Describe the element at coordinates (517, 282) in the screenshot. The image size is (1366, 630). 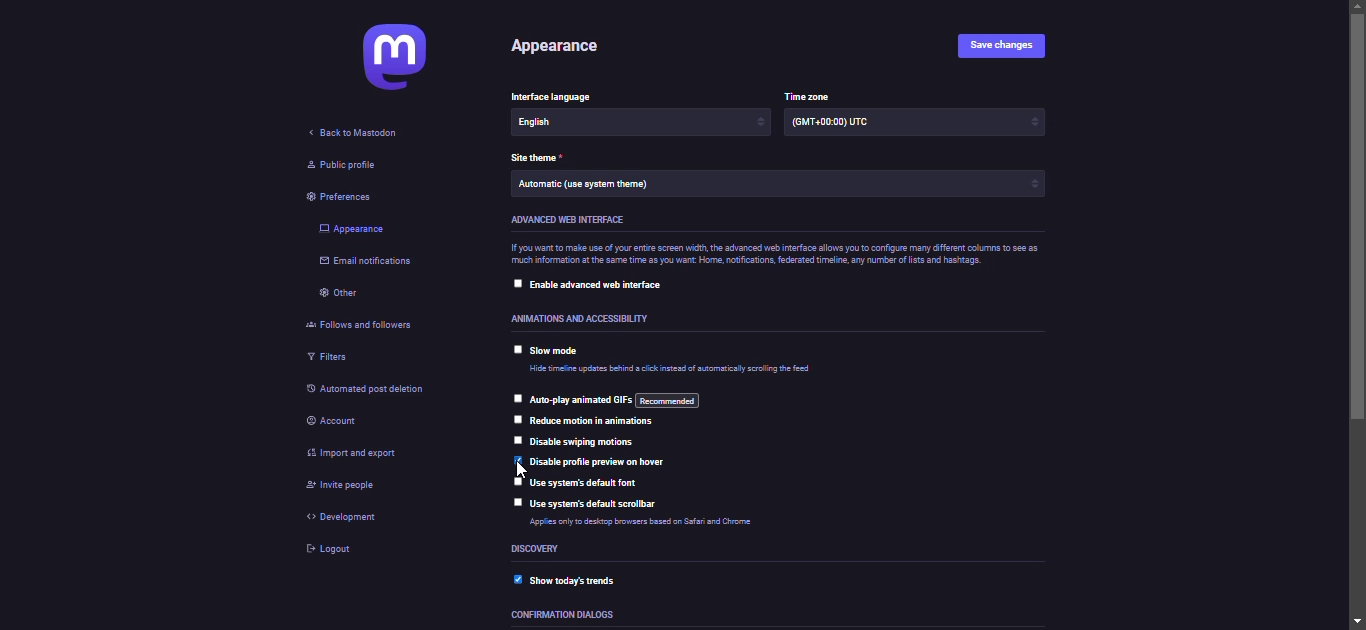
I see `click to select` at that location.